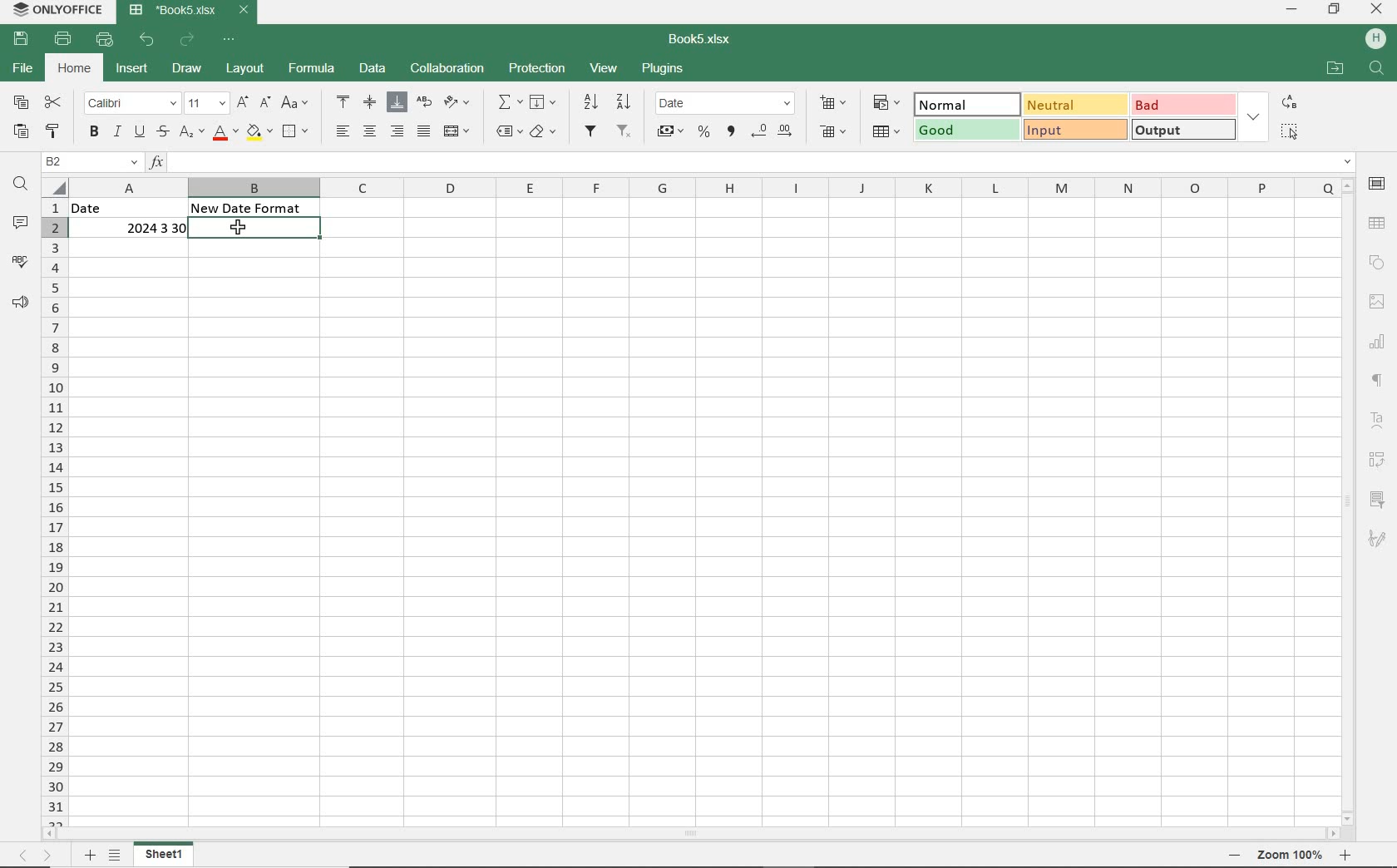 The image size is (1397, 868). Describe the element at coordinates (704, 186) in the screenshot. I see `COLUMNS` at that location.